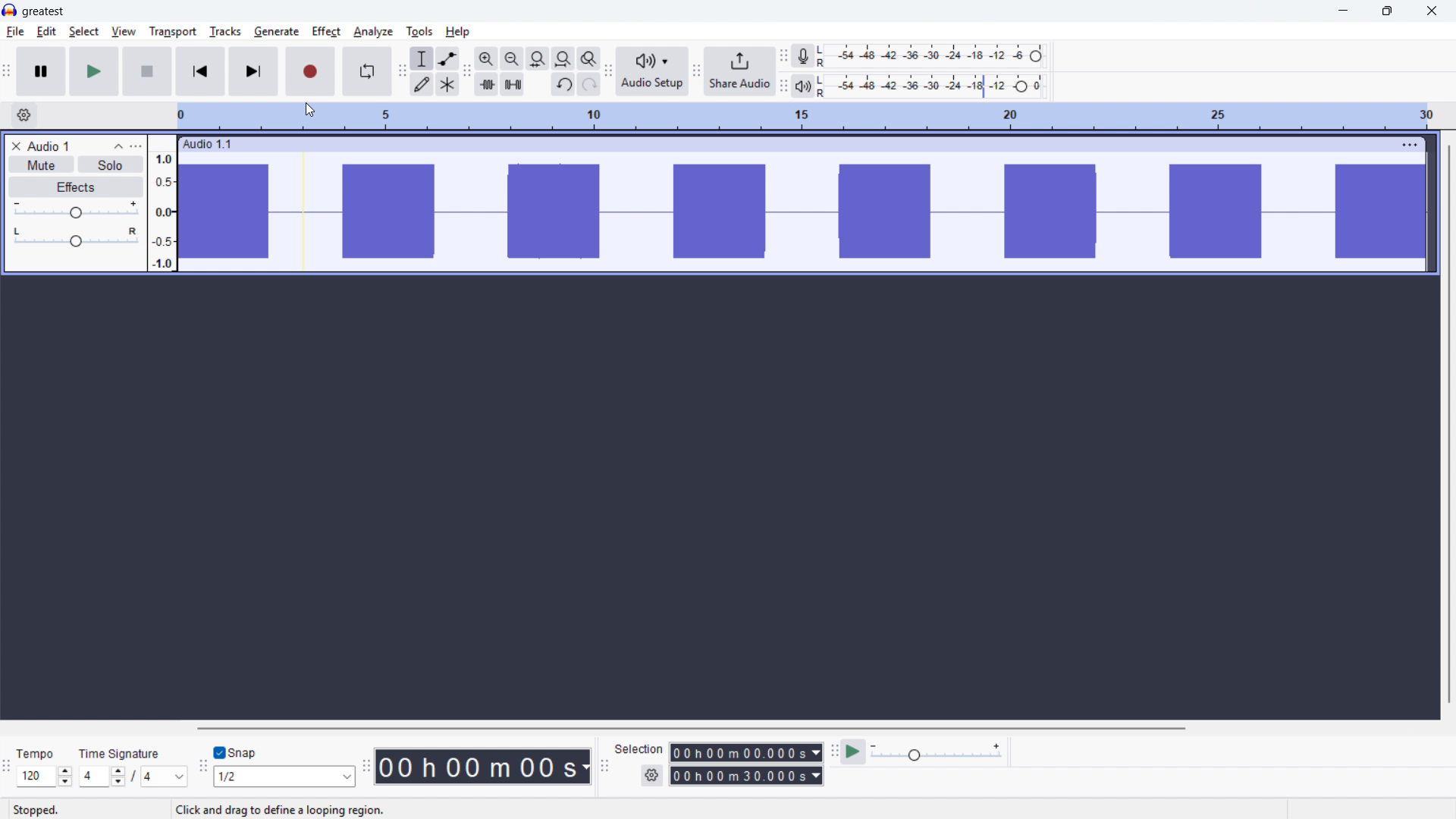 The height and width of the screenshot is (819, 1456). I want to click on stopped, so click(36, 811).